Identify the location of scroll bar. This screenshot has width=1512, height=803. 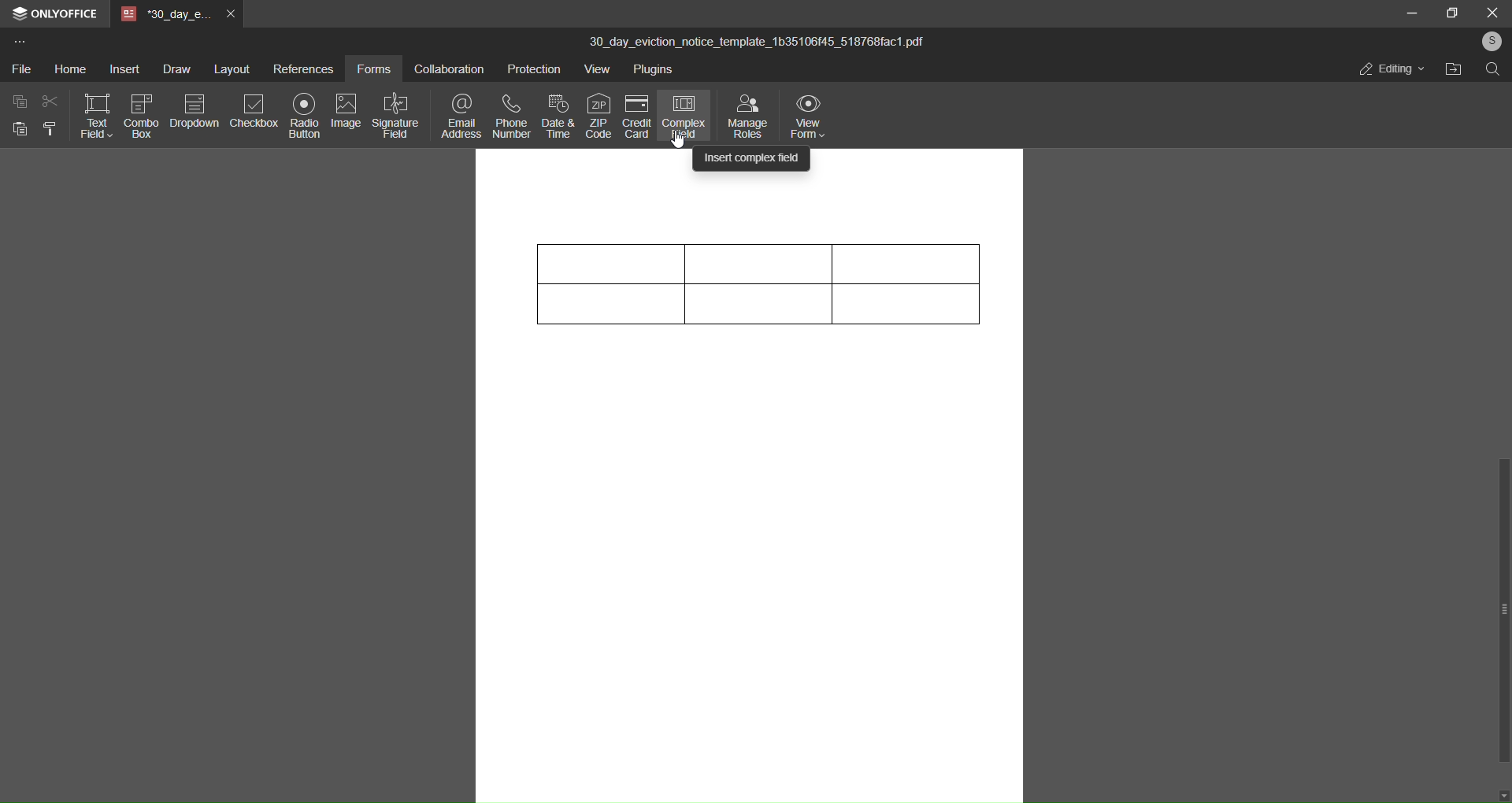
(1499, 608).